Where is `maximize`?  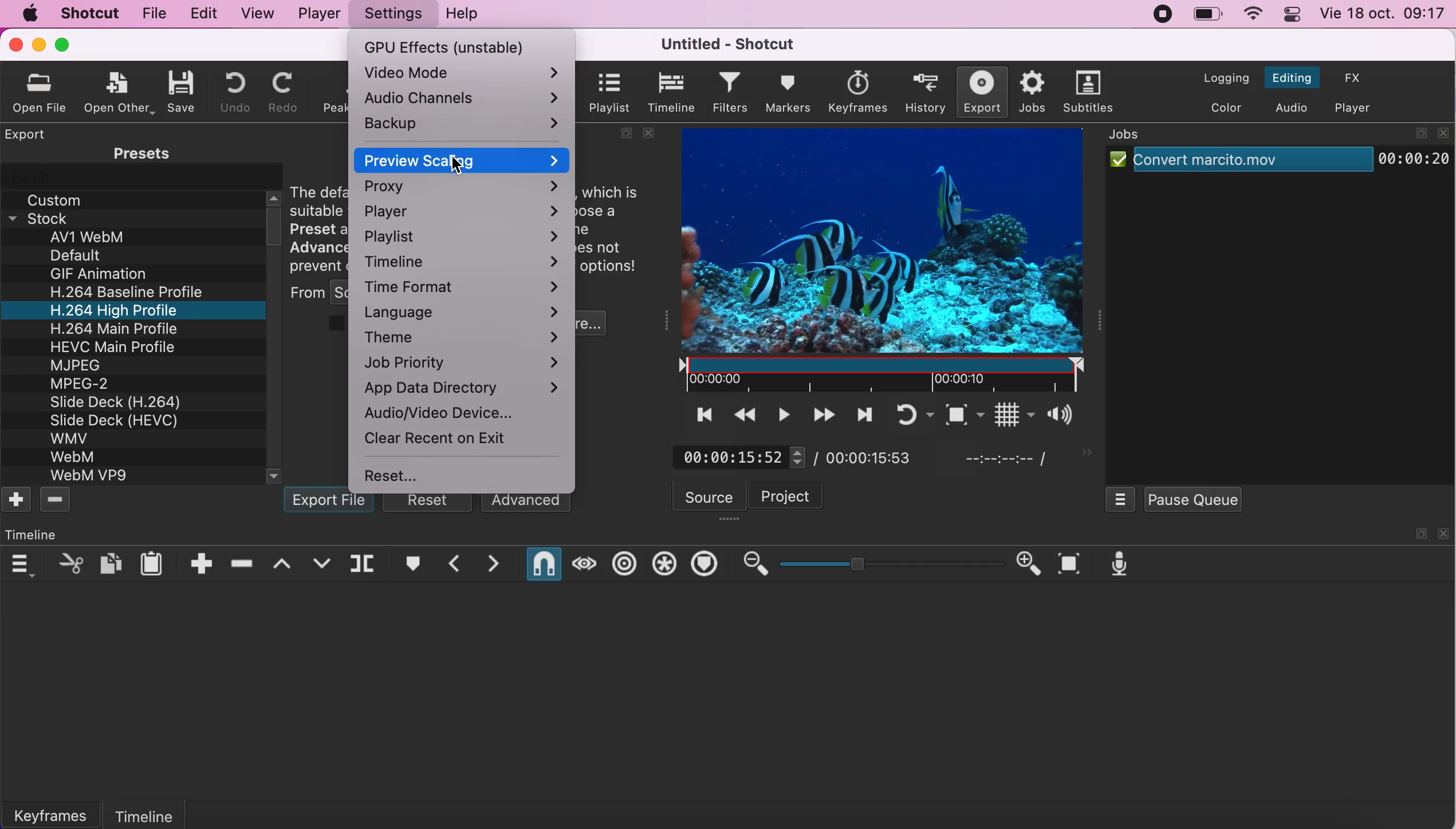
maximize is located at coordinates (63, 46).